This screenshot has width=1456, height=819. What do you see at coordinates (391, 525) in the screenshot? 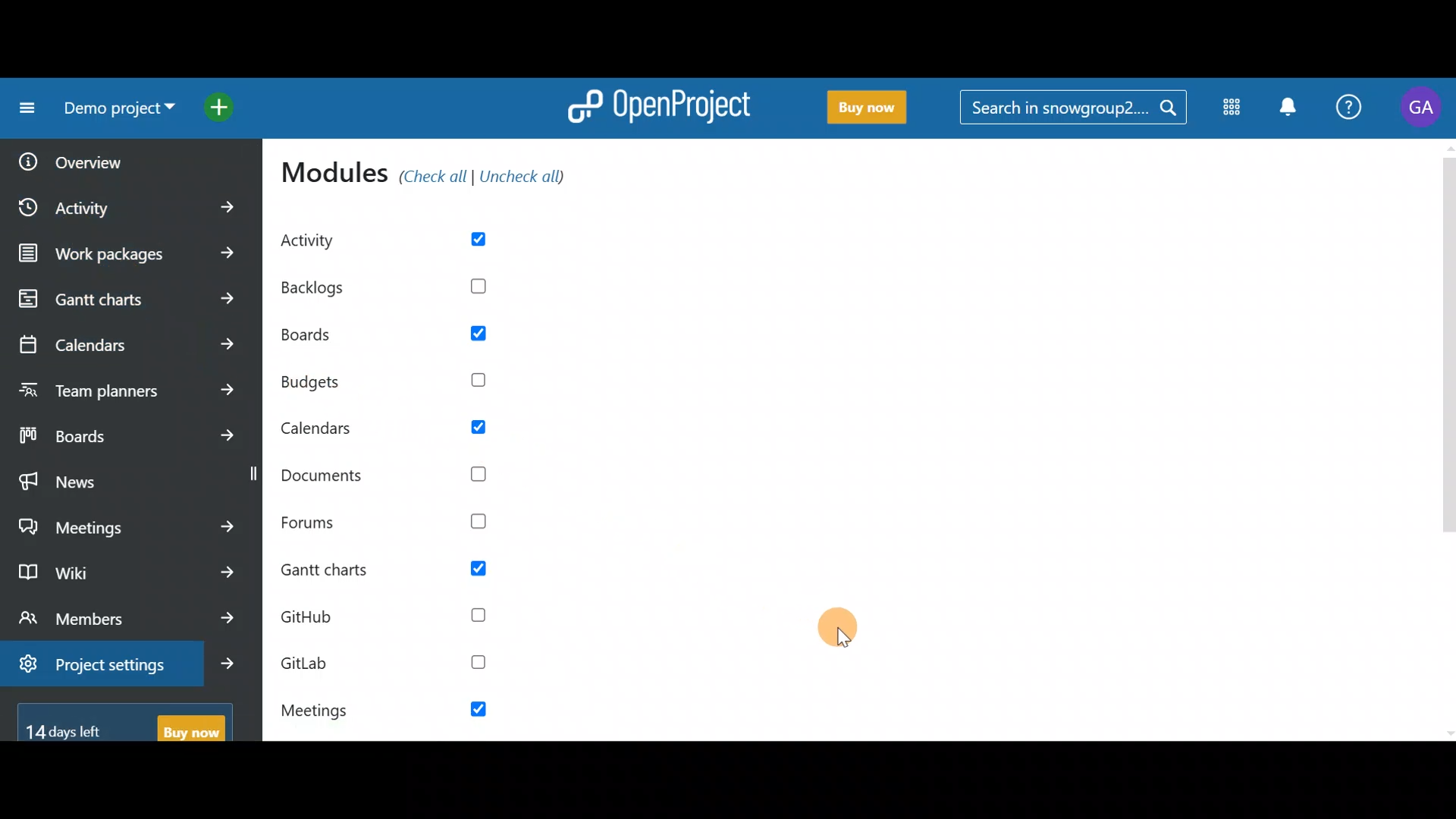
I see `Forums` at bounding box center [391, 525].